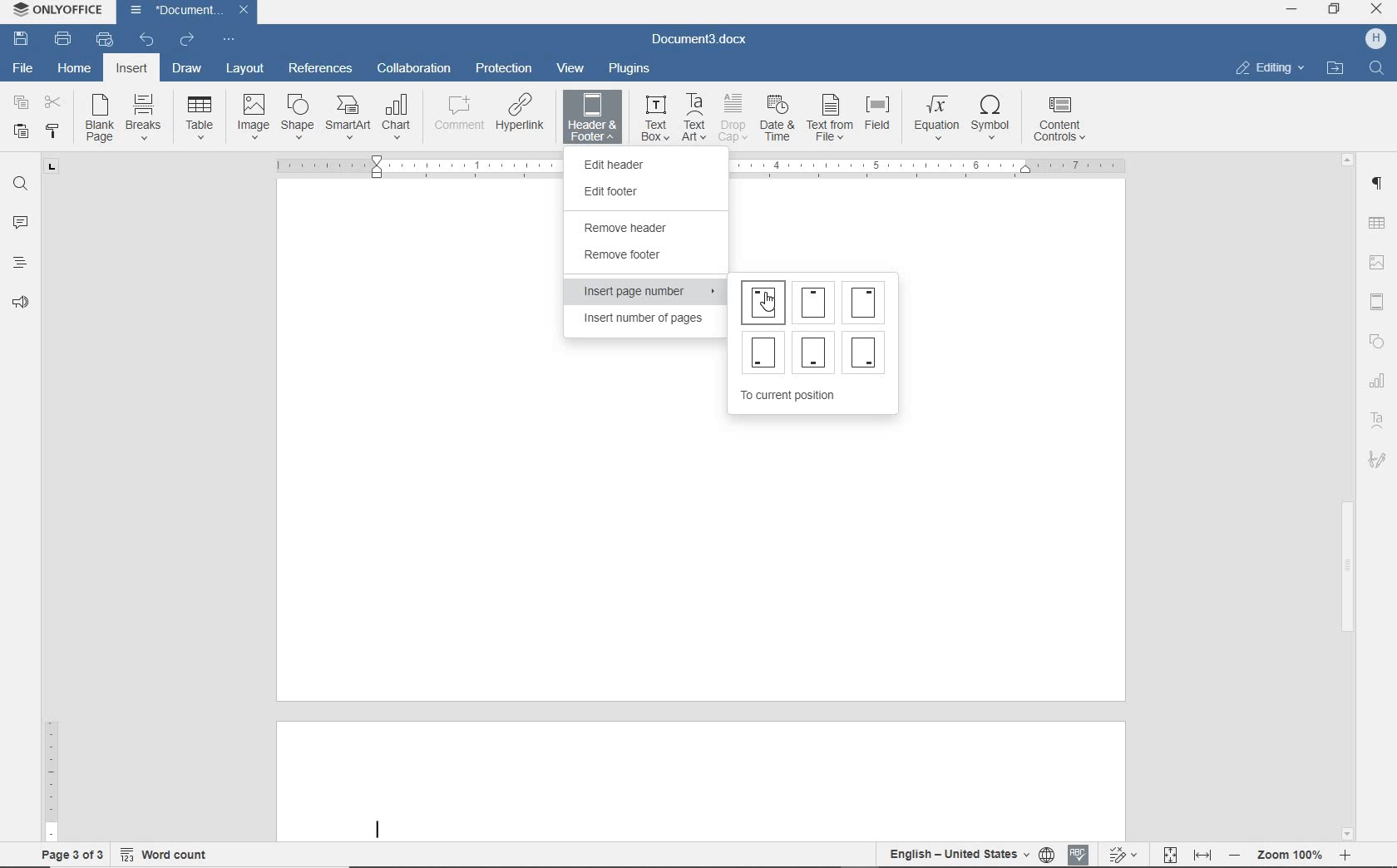 The width and height of the screenshot is (1397, 868). I want to click on Page number at bottom center, so click(814, 352).